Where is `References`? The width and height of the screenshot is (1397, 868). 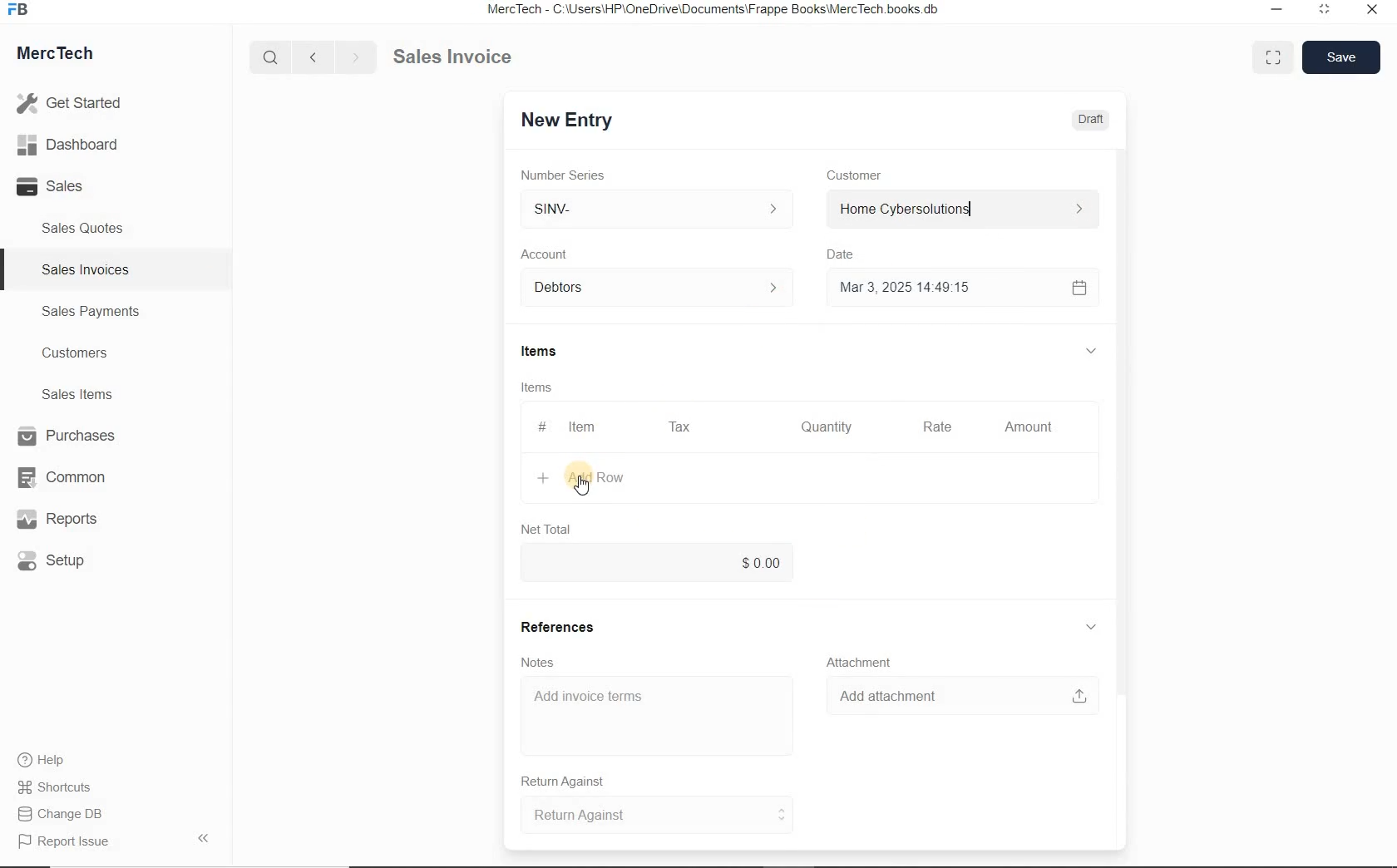 References is located at coordinates (558, 628).